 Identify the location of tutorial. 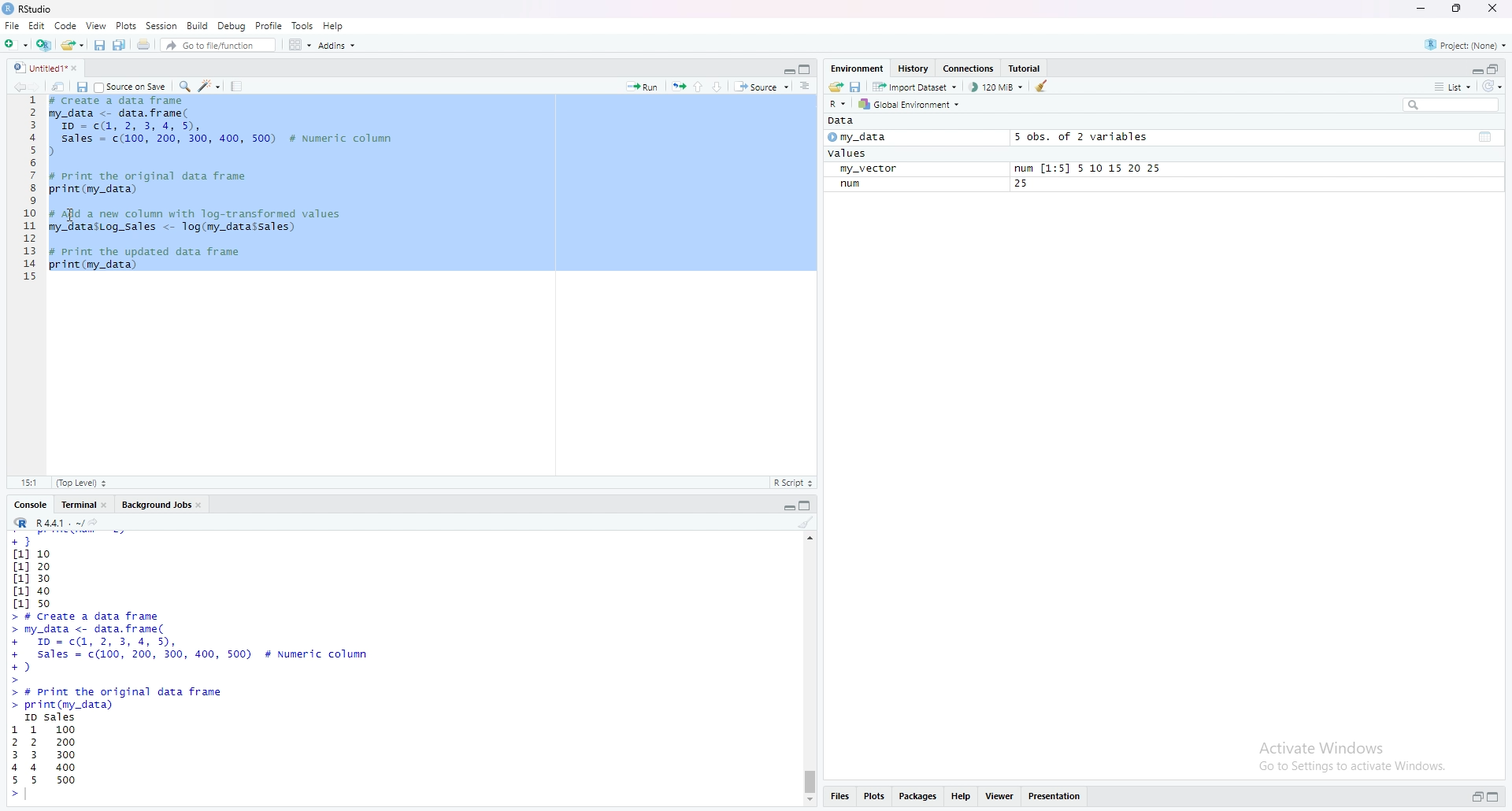
(1025, 69).